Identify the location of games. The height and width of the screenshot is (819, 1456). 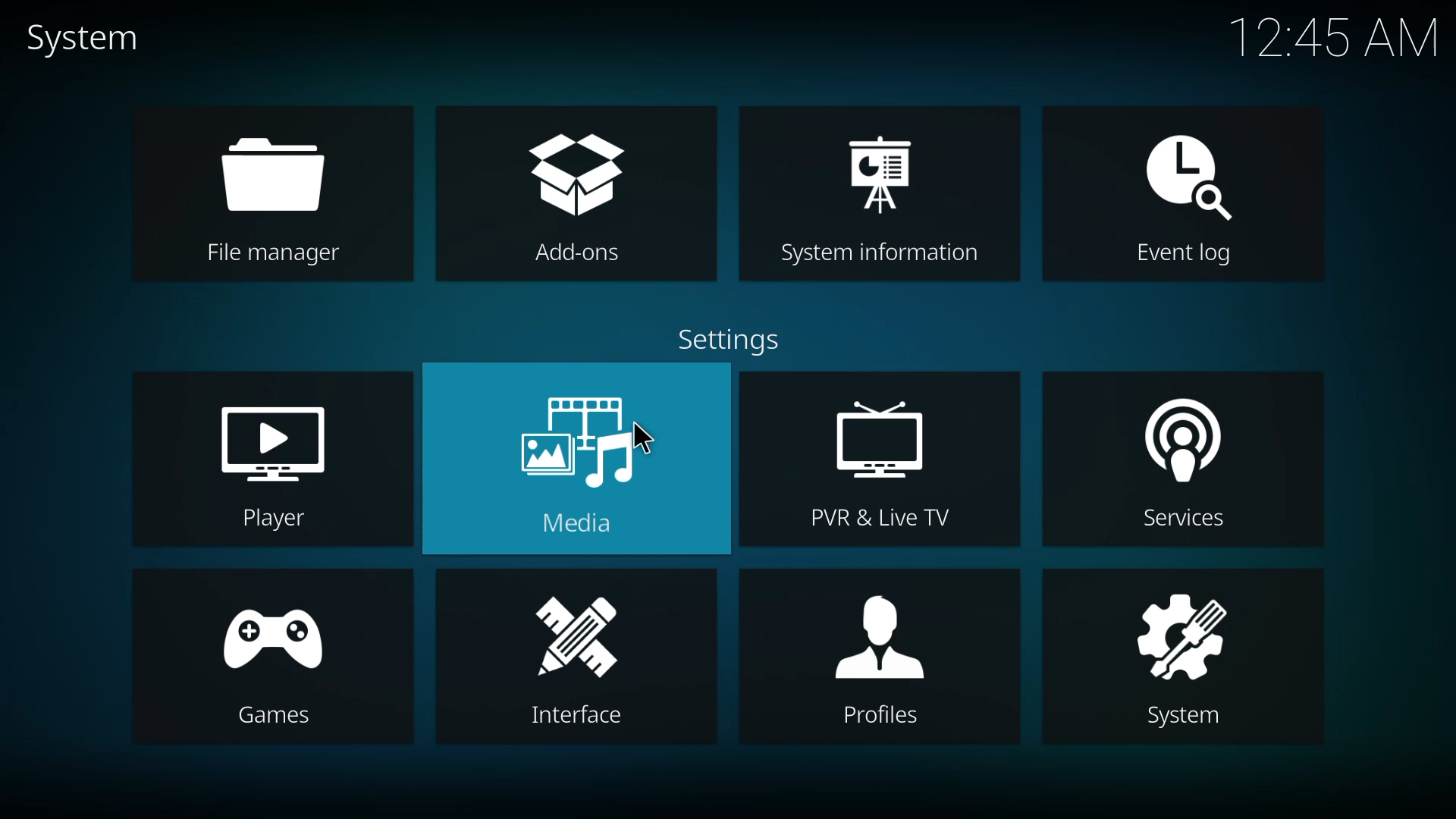
(280, 657).